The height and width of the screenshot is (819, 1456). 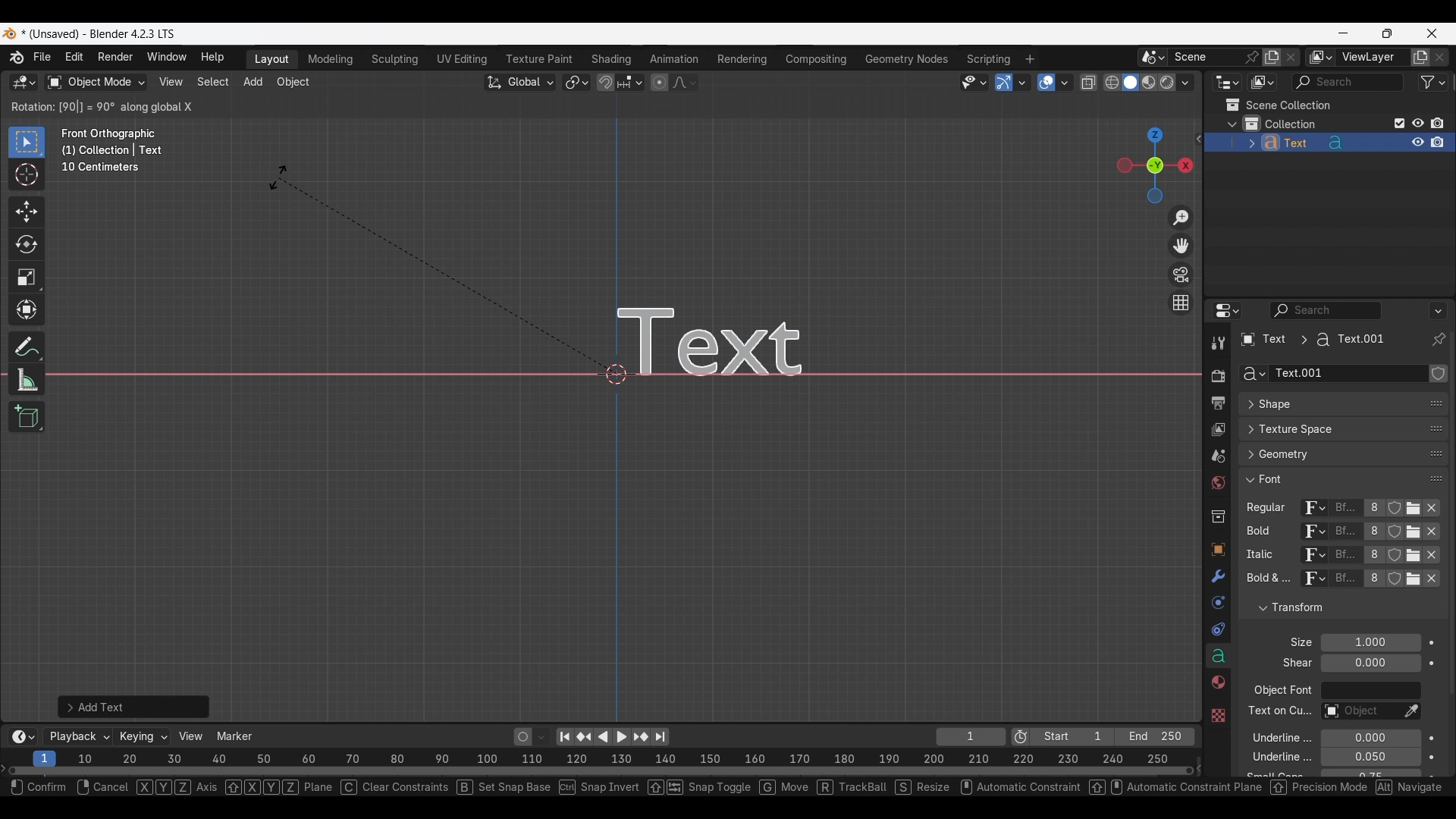 What do you see at coordinates (1272, 776) in the screenshot?
I see `text` at bounding box center [1272, 776].